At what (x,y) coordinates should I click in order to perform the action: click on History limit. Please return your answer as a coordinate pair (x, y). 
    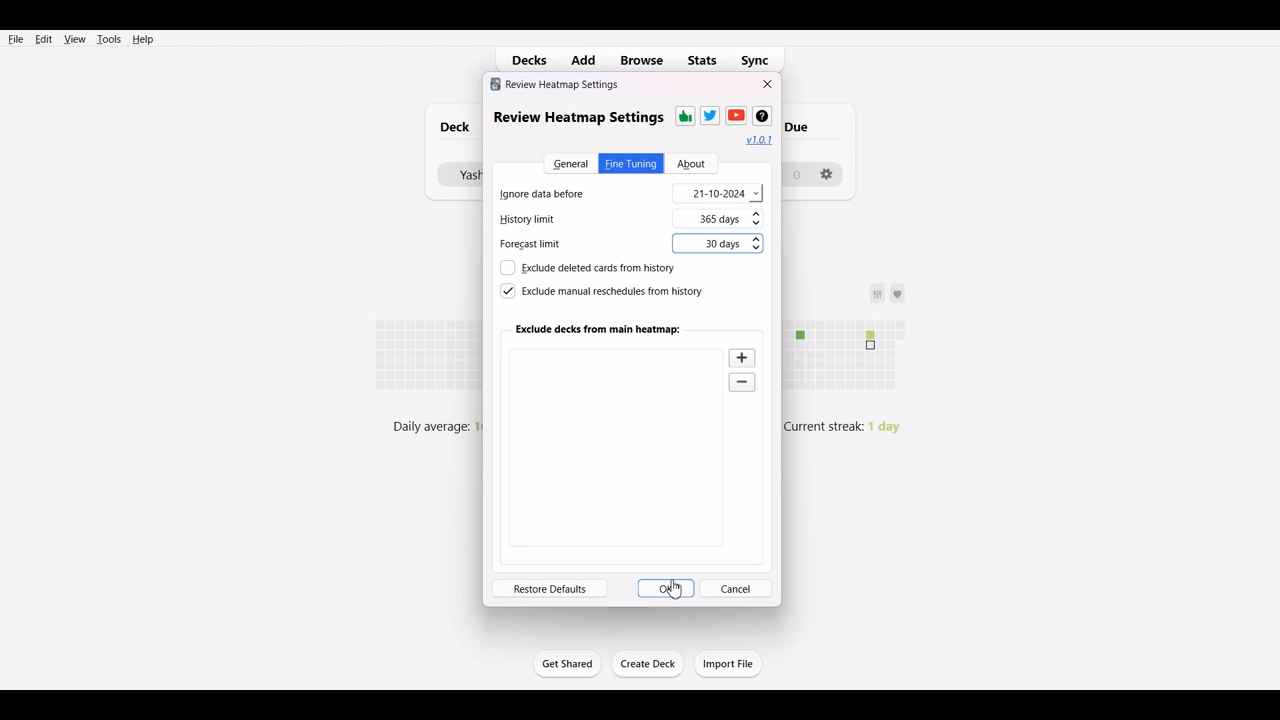
    Looking at the image, I should click on (547, 221).